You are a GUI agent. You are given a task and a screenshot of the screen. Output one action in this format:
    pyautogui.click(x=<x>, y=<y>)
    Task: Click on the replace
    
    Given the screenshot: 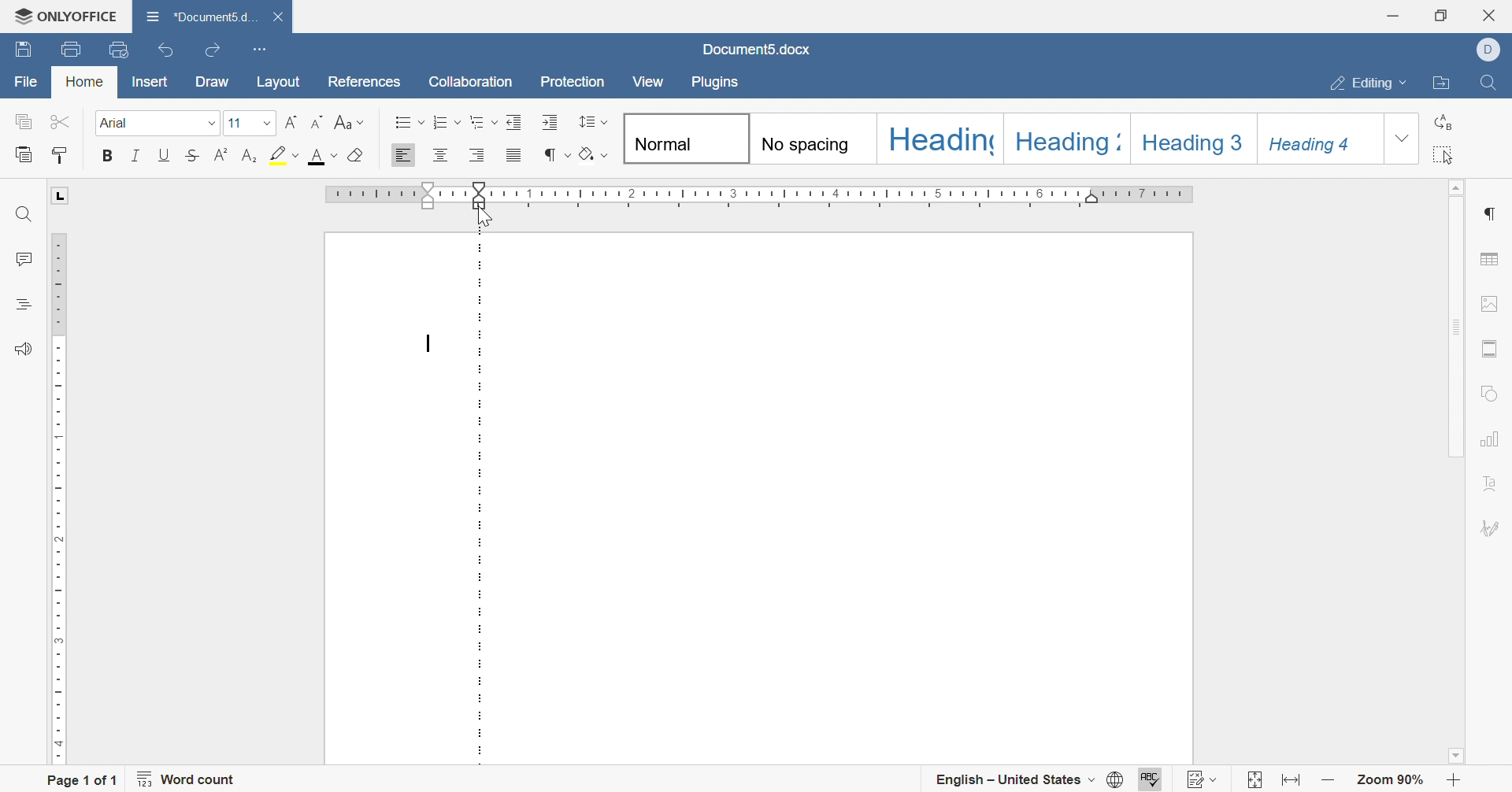 What is the action you would take?
    pyautogui.click(x=1448, y=119)
    